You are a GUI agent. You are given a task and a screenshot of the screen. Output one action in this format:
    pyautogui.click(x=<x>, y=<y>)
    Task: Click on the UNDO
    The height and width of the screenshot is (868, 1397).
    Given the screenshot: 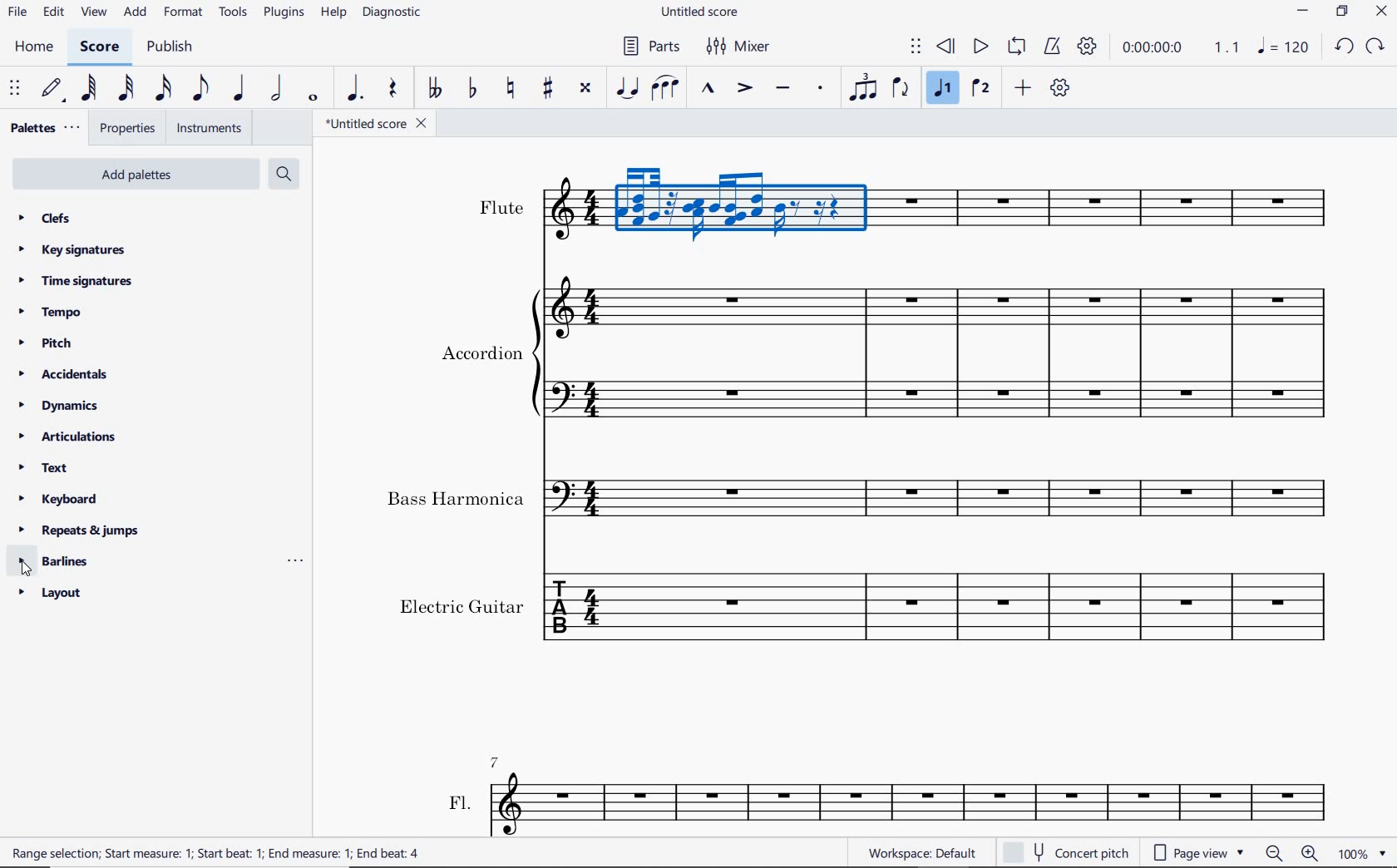 What is the action you would take?
    pyautogui.click(x=1342, y=46)
    